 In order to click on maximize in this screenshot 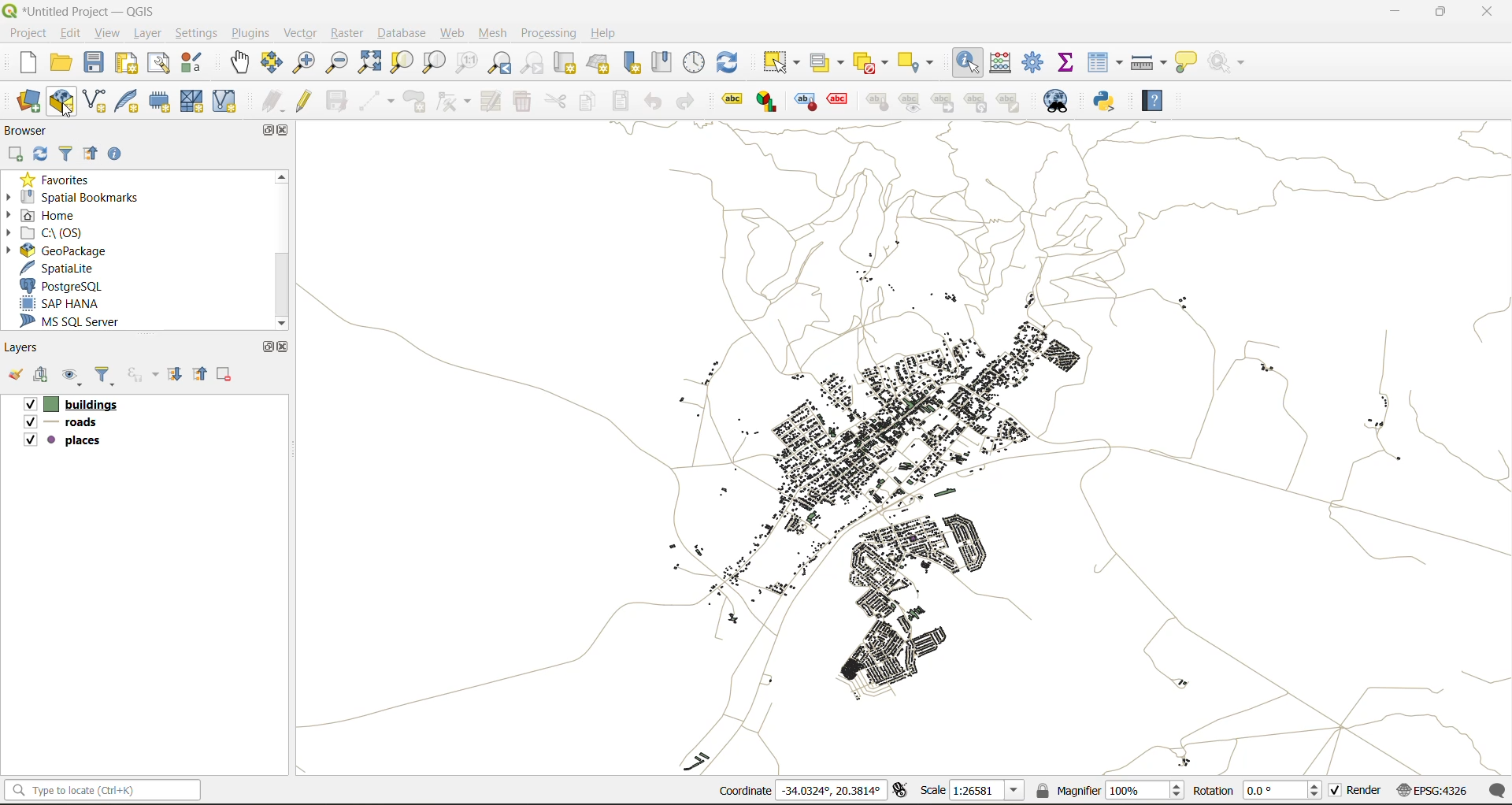, I will do `click(265, 130)`.